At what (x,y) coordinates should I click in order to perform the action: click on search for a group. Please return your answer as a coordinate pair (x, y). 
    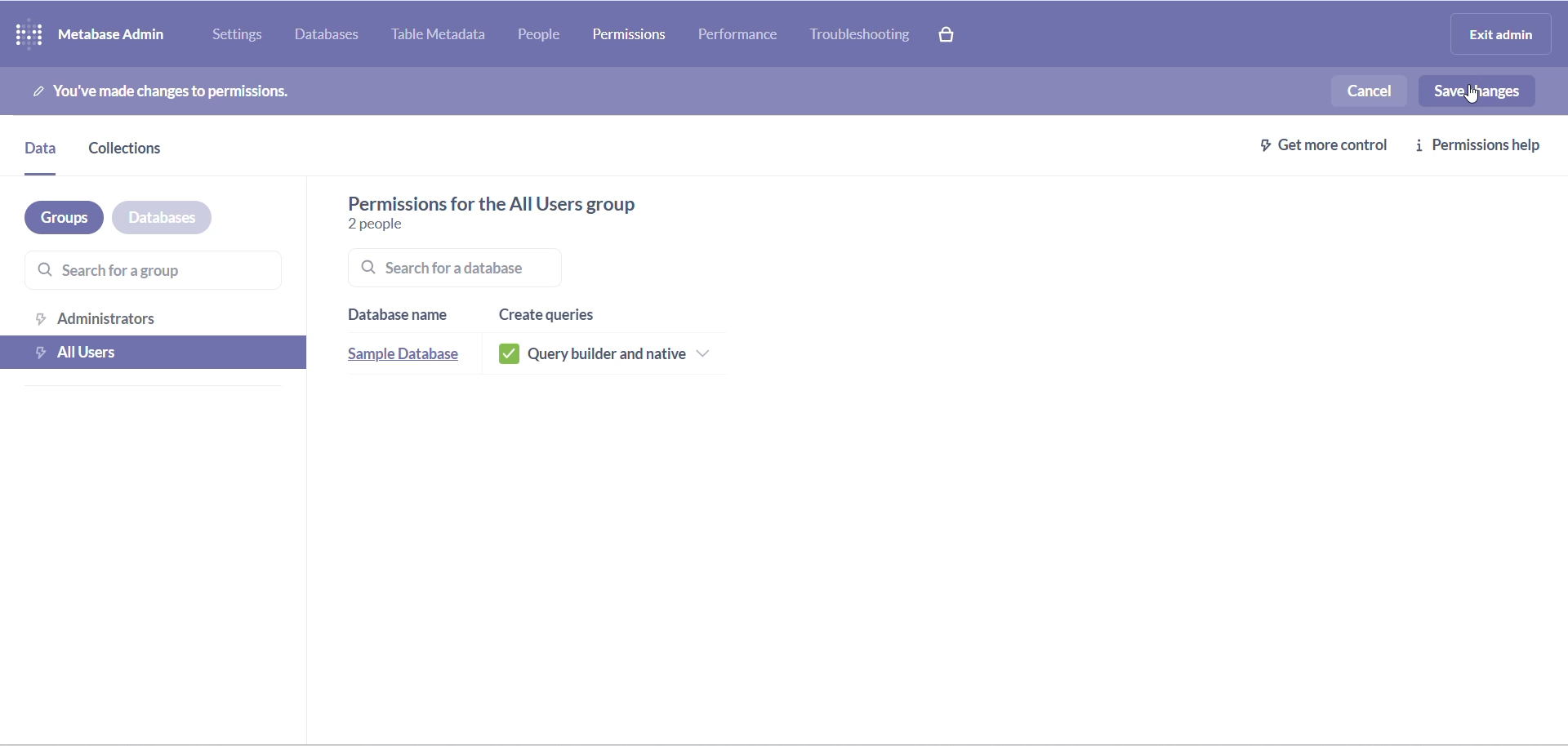
    Looking at the image, I should click on (138, 272).